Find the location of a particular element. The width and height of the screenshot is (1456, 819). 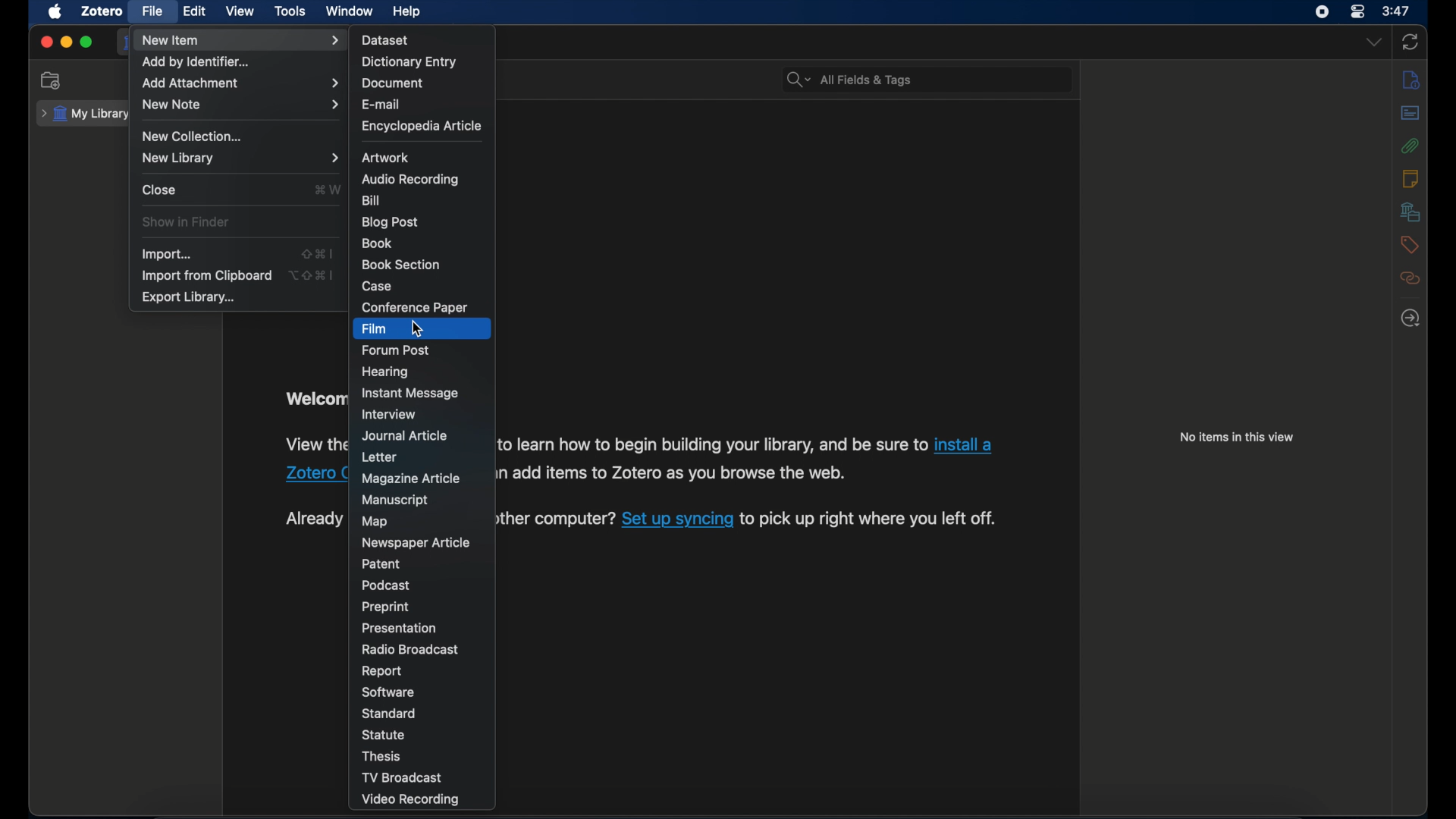

newspaper article is located at coordinates (416, 542).